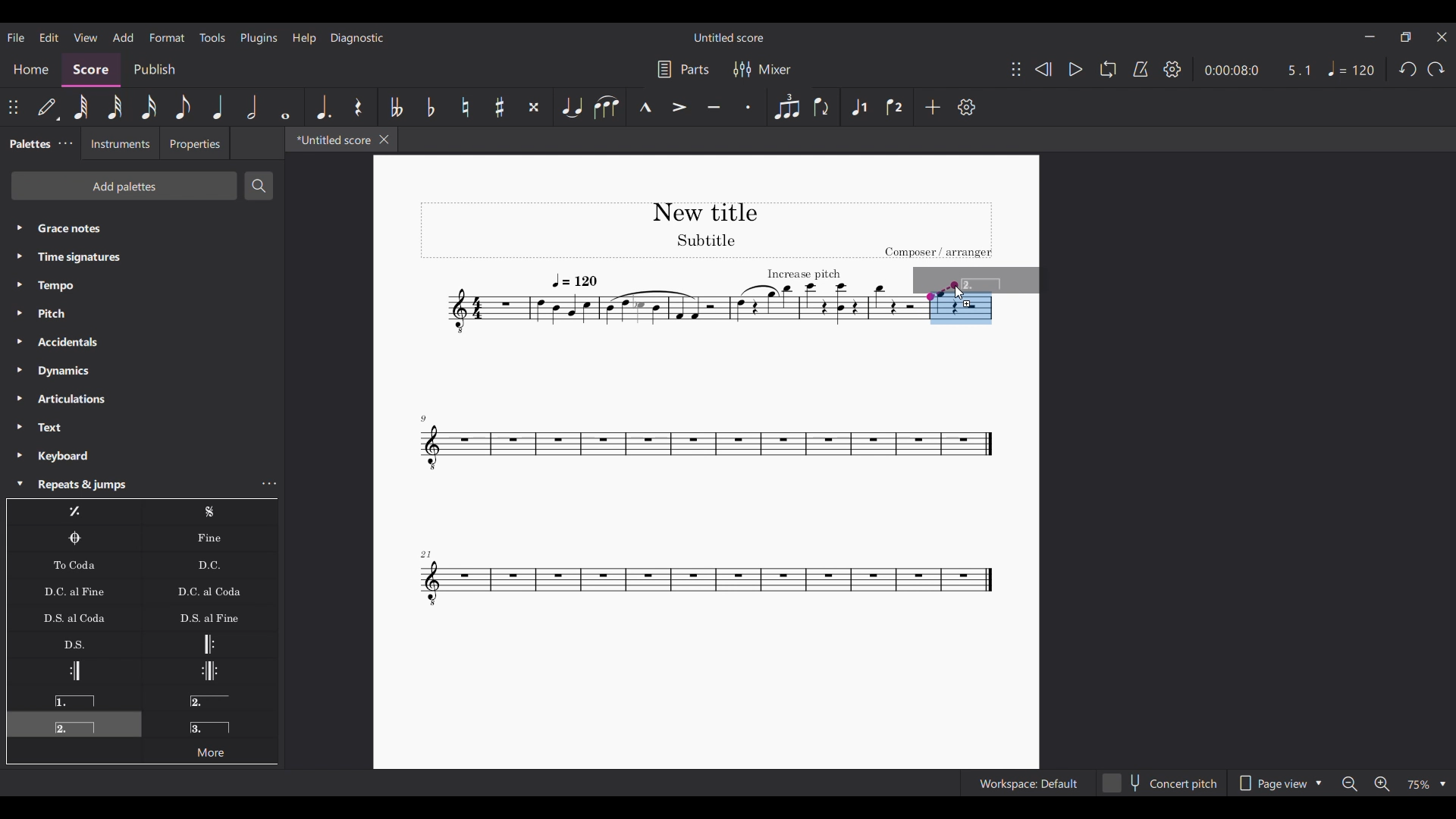 The image size is (1456, 819). I want to click on Dynamics, so click(142, 371).